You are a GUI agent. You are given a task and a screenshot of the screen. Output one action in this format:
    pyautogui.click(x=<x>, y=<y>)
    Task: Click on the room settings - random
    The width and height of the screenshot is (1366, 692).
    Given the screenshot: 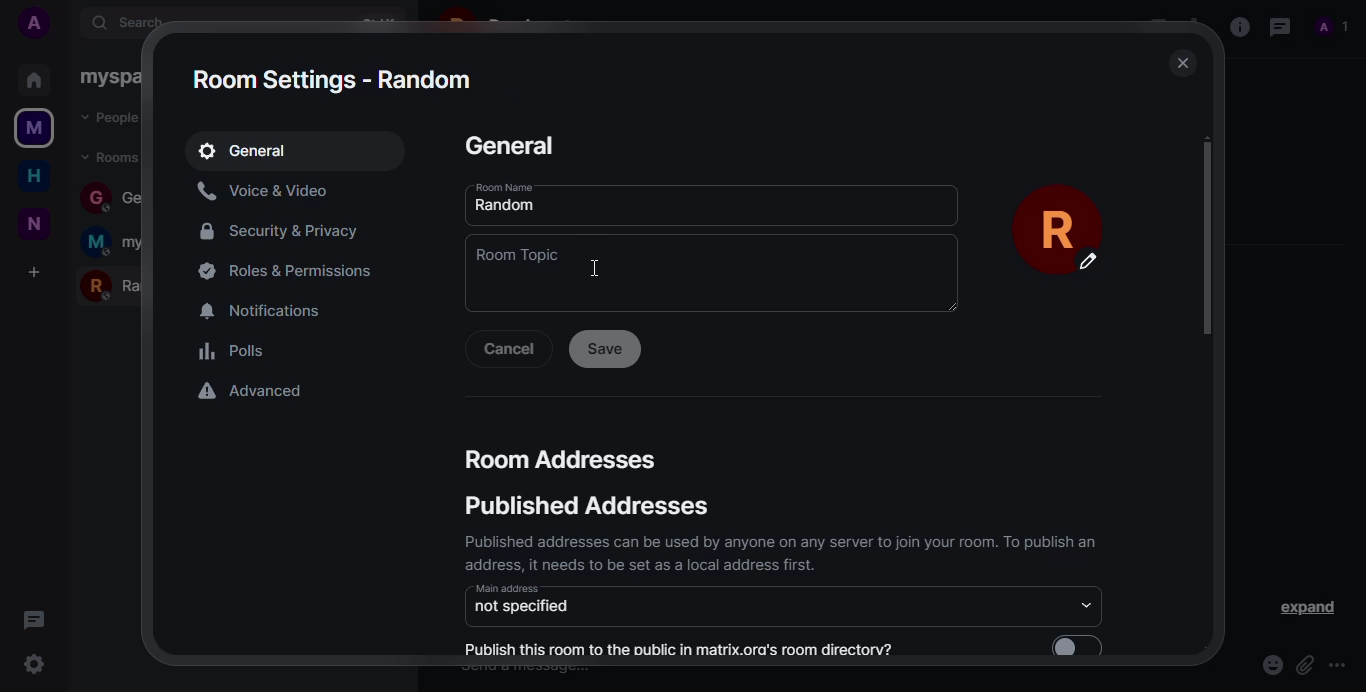 What is the action you would take?
    pyautogui.click(x=339, y=81)
    